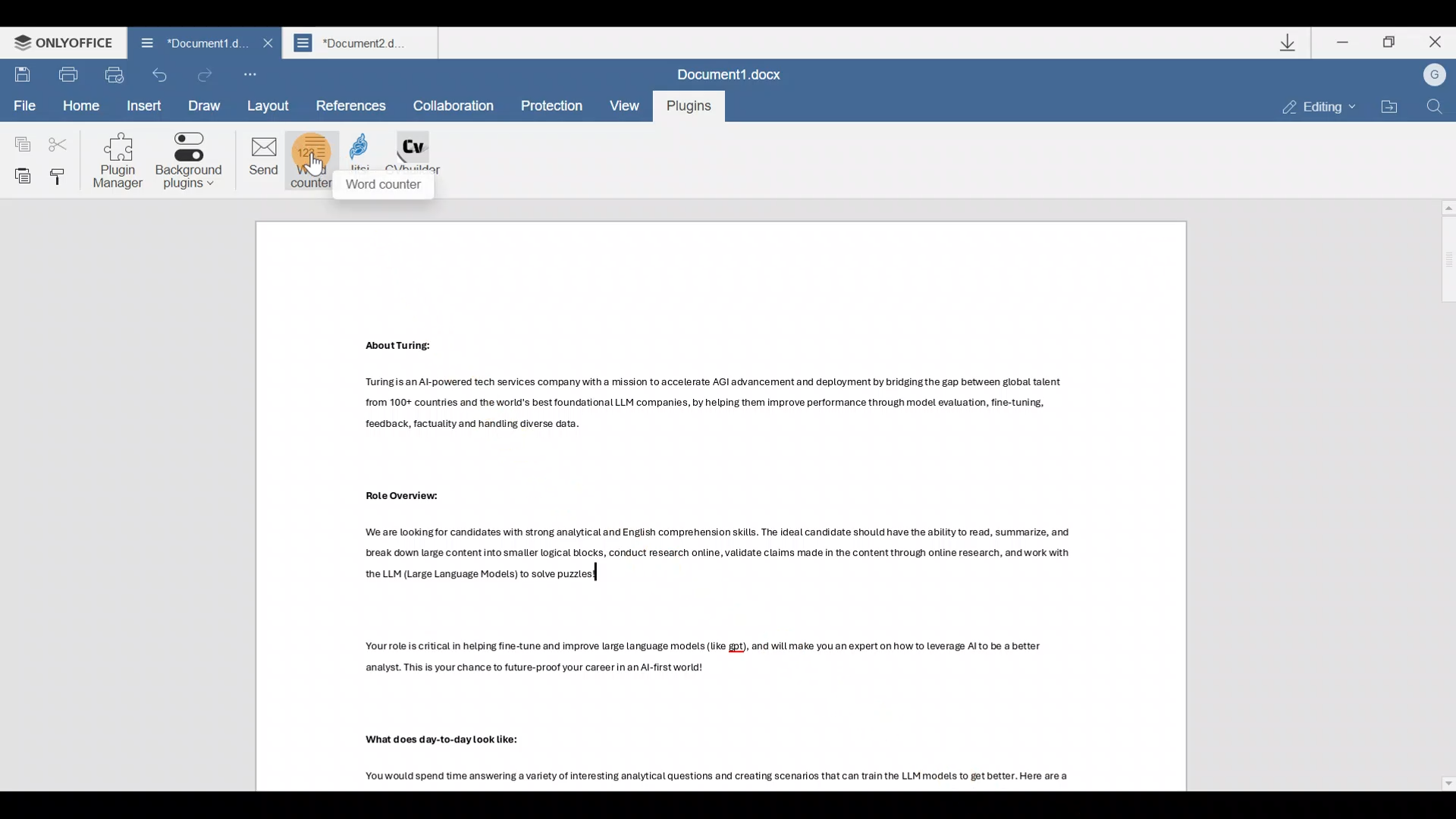 This screenshot has width=1456, height=819. What do you see at coordinates (262, 160) in the screenshot?
I see `Send` at bounding box center [262, 160].